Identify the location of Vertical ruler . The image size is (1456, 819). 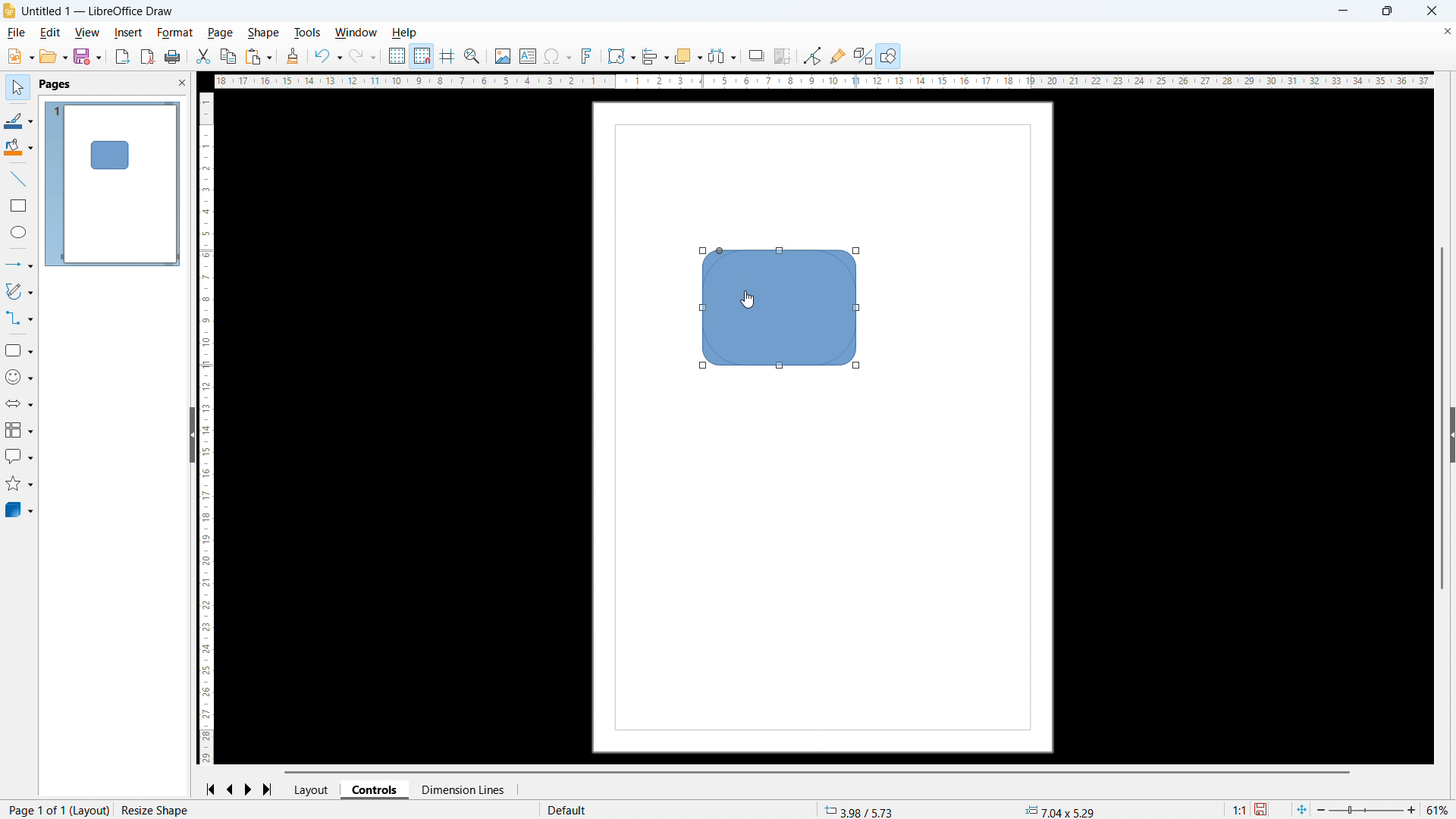
(207, 428).